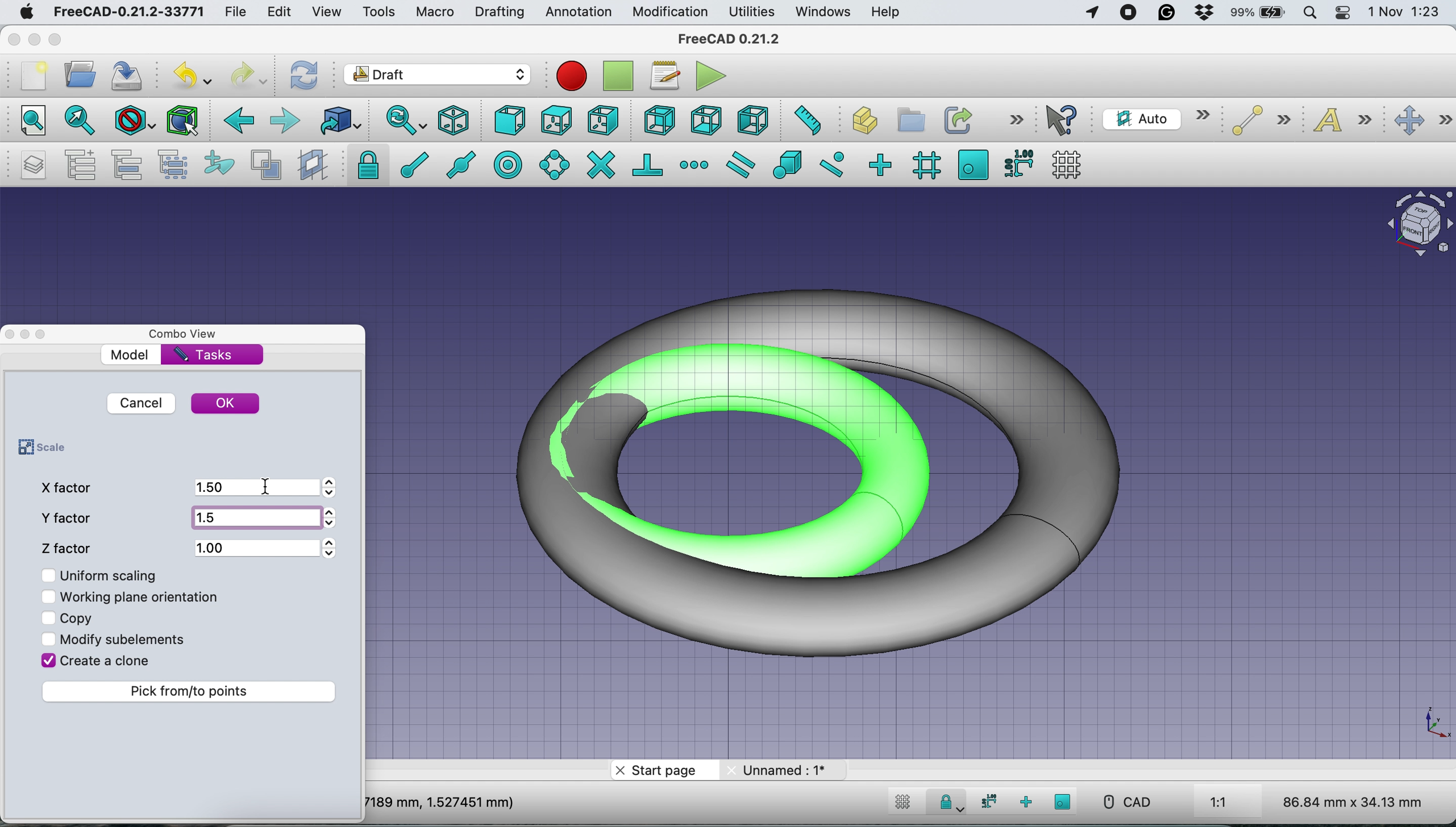 Image resolution: width=1456 pixels, height=827 pixels. I want to click on forward, so click(286, 122).